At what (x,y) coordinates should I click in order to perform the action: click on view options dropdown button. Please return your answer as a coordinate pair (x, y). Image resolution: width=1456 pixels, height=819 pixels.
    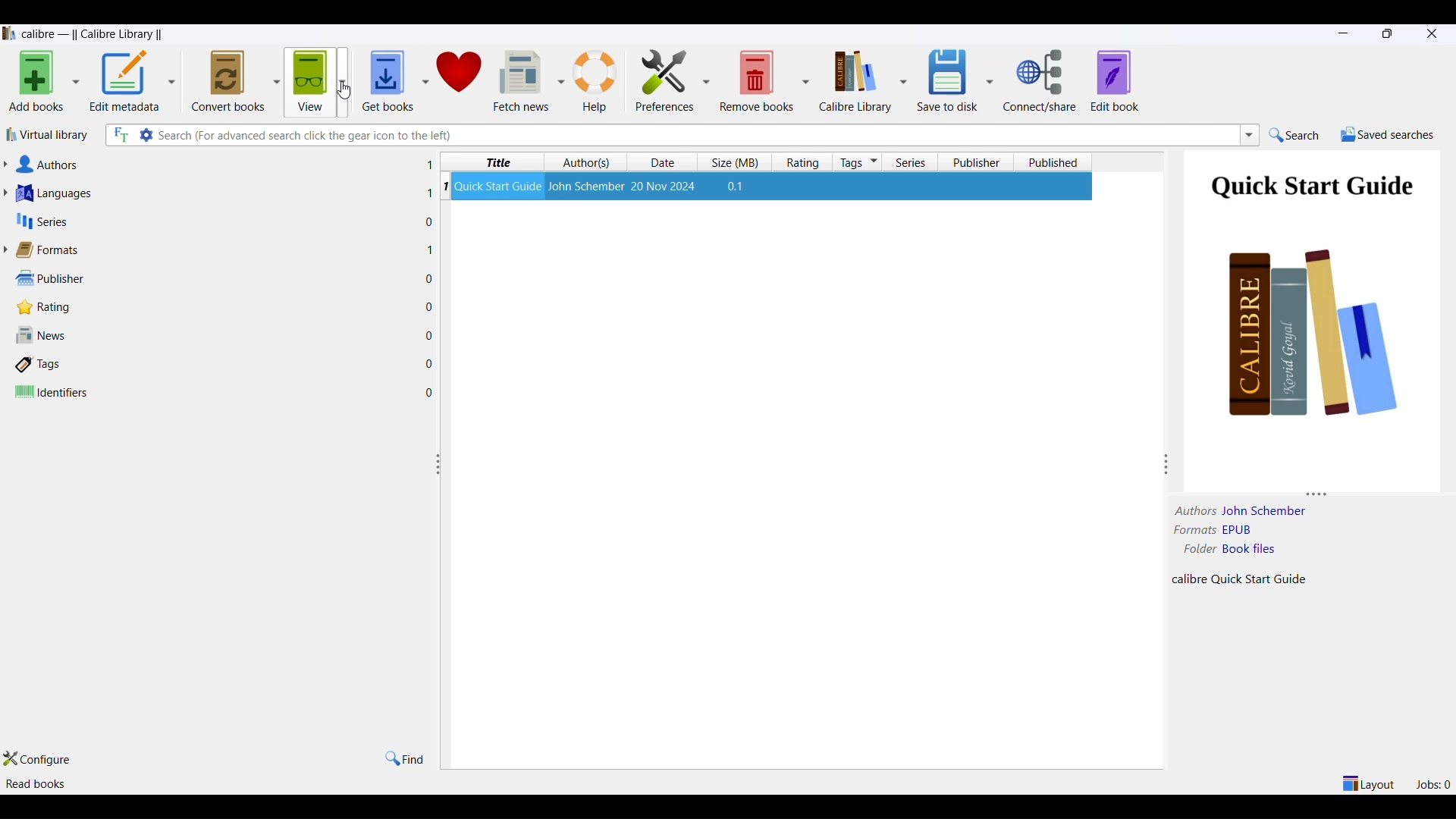
    Looking at the image, I should click on (347, 80).